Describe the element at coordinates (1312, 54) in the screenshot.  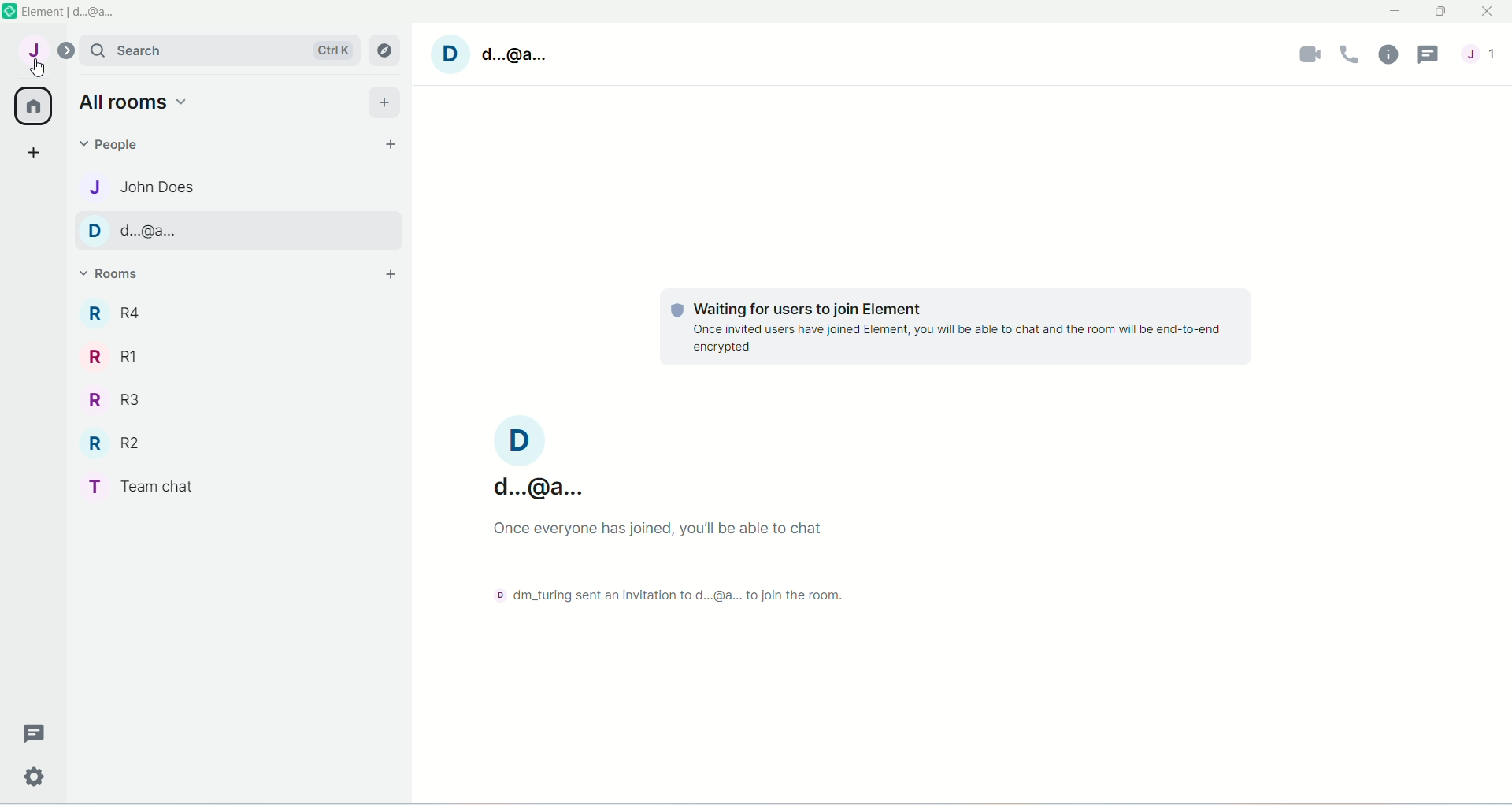
I see `Video call` at that location.